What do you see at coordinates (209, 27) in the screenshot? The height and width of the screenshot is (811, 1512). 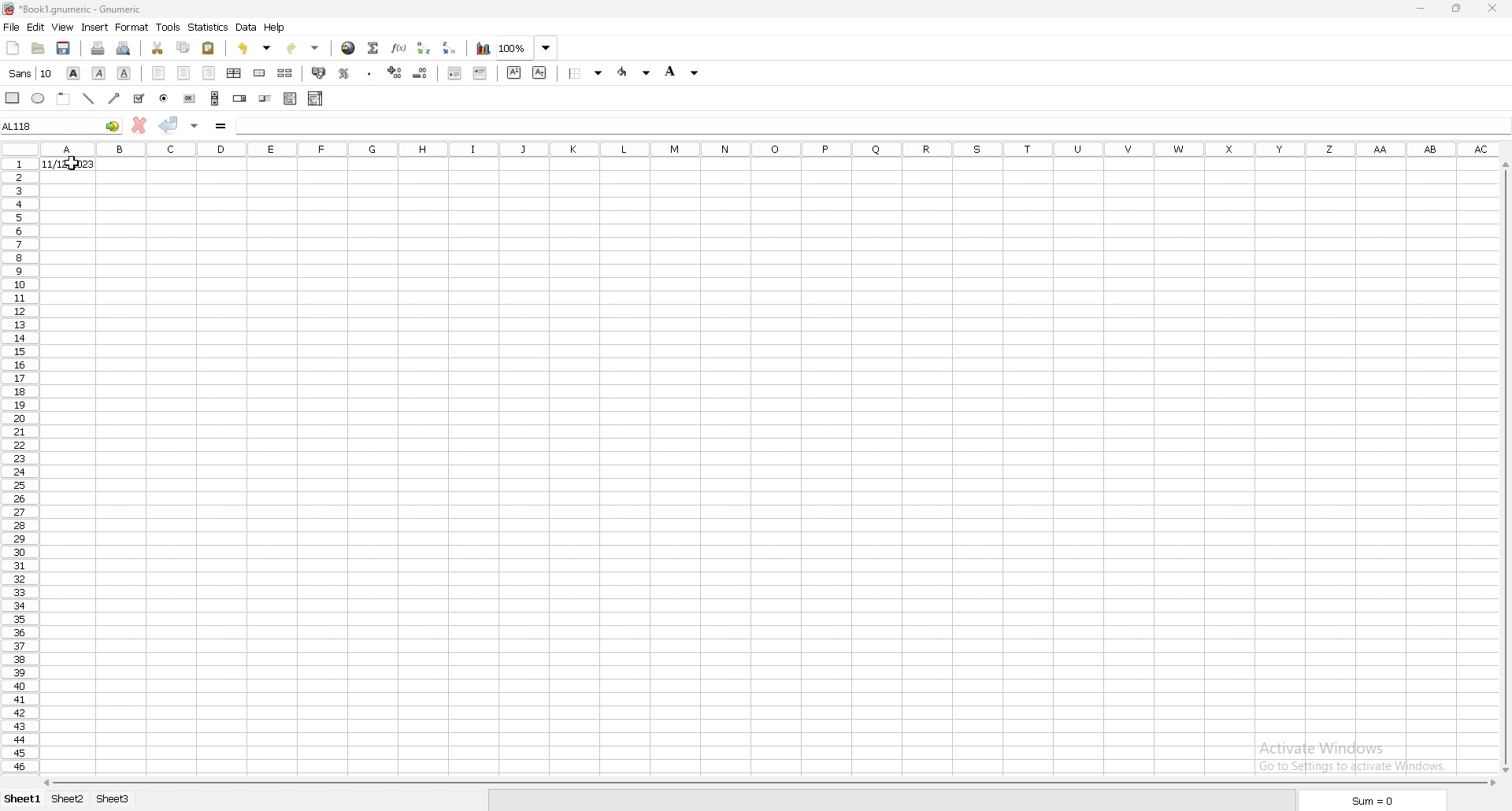 I see `statistics` at bounding box center [209, 27].